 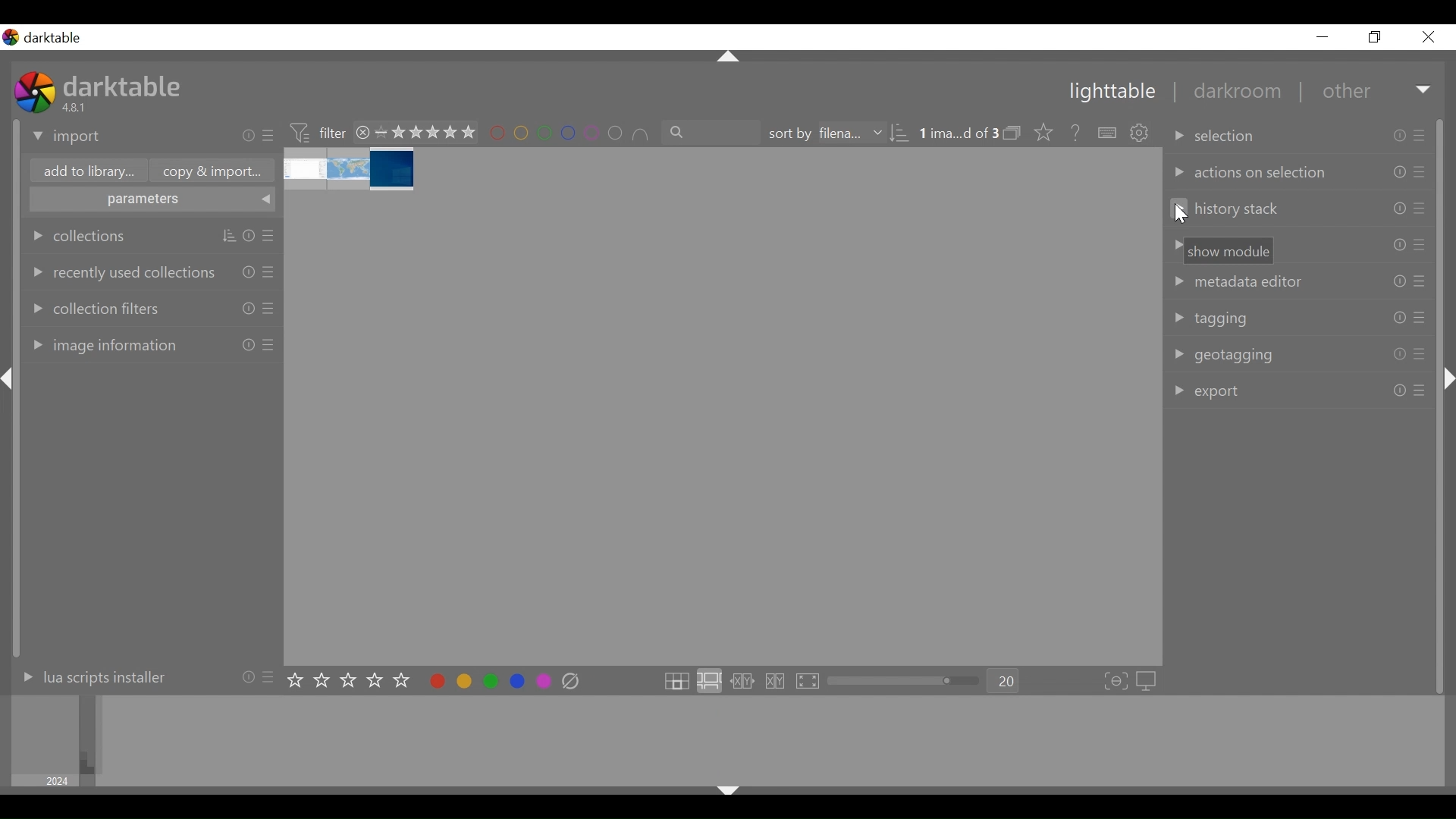 What do you see at coordinates (1111, 93) in the screenshot?
I see `lighttable` at bounding box center [1111, 93].